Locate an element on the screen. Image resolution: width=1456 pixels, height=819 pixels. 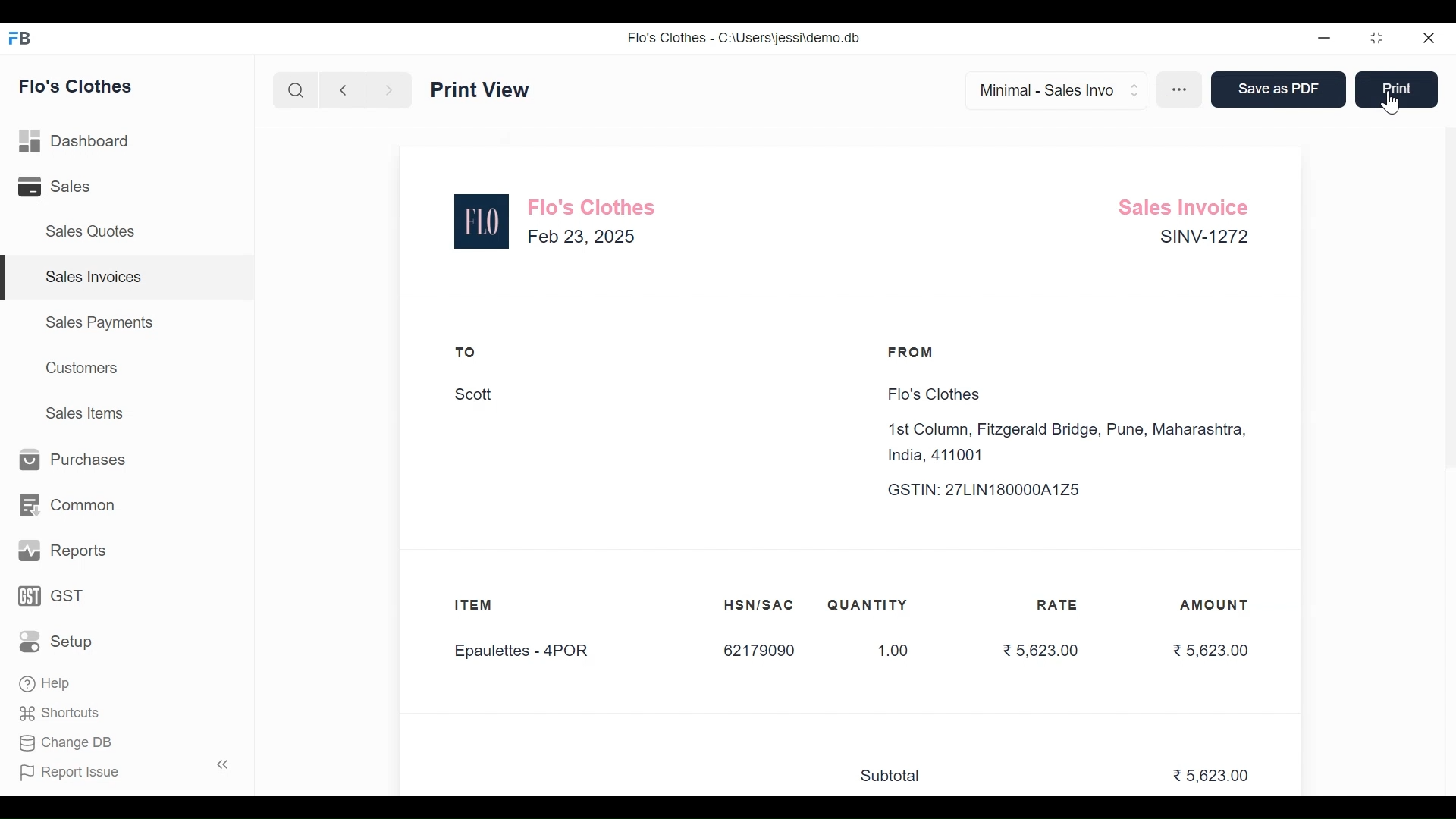
1.00 is located at coordinates (885, 651).